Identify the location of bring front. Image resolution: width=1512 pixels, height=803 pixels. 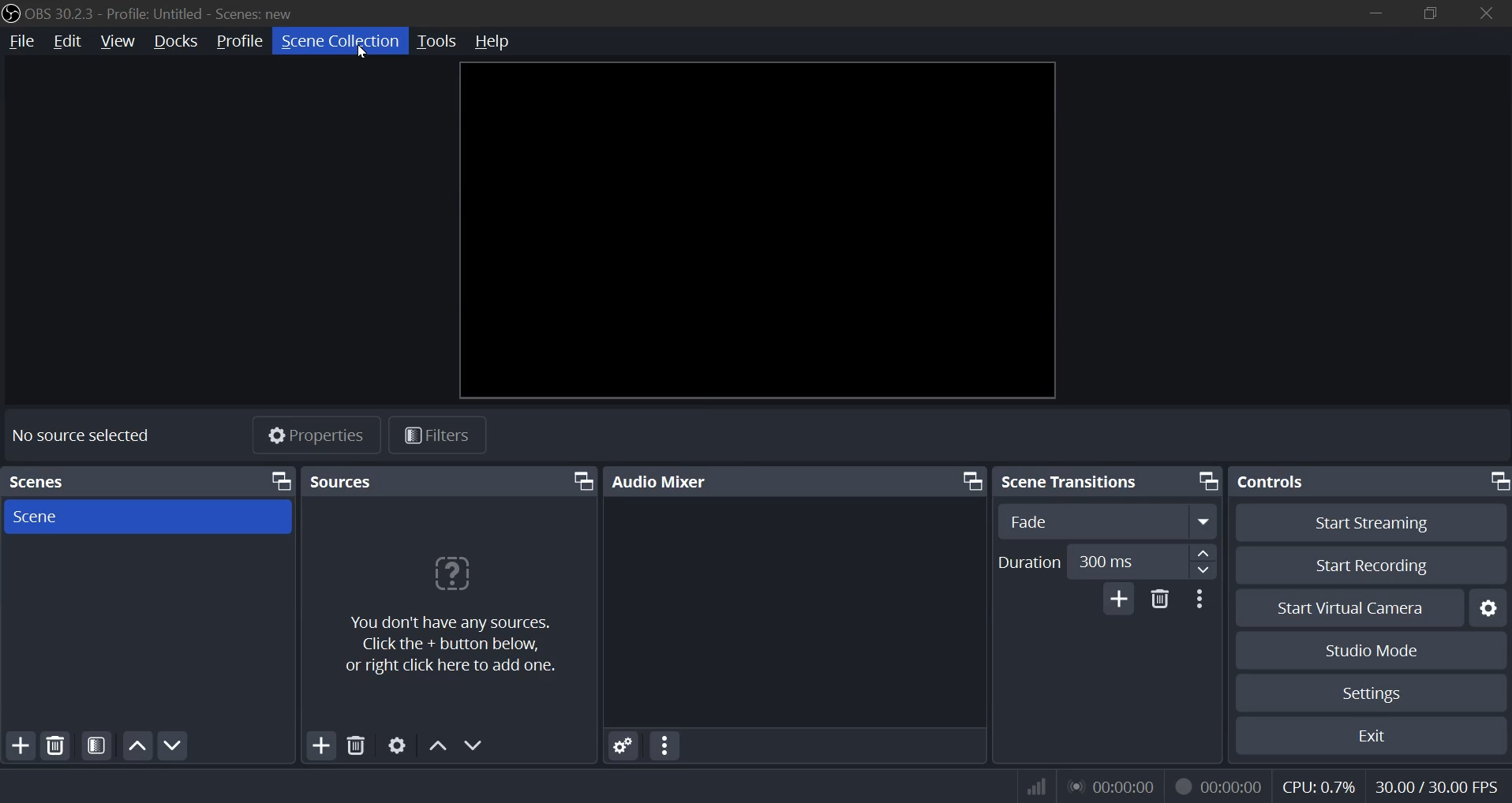
(1205, 480).